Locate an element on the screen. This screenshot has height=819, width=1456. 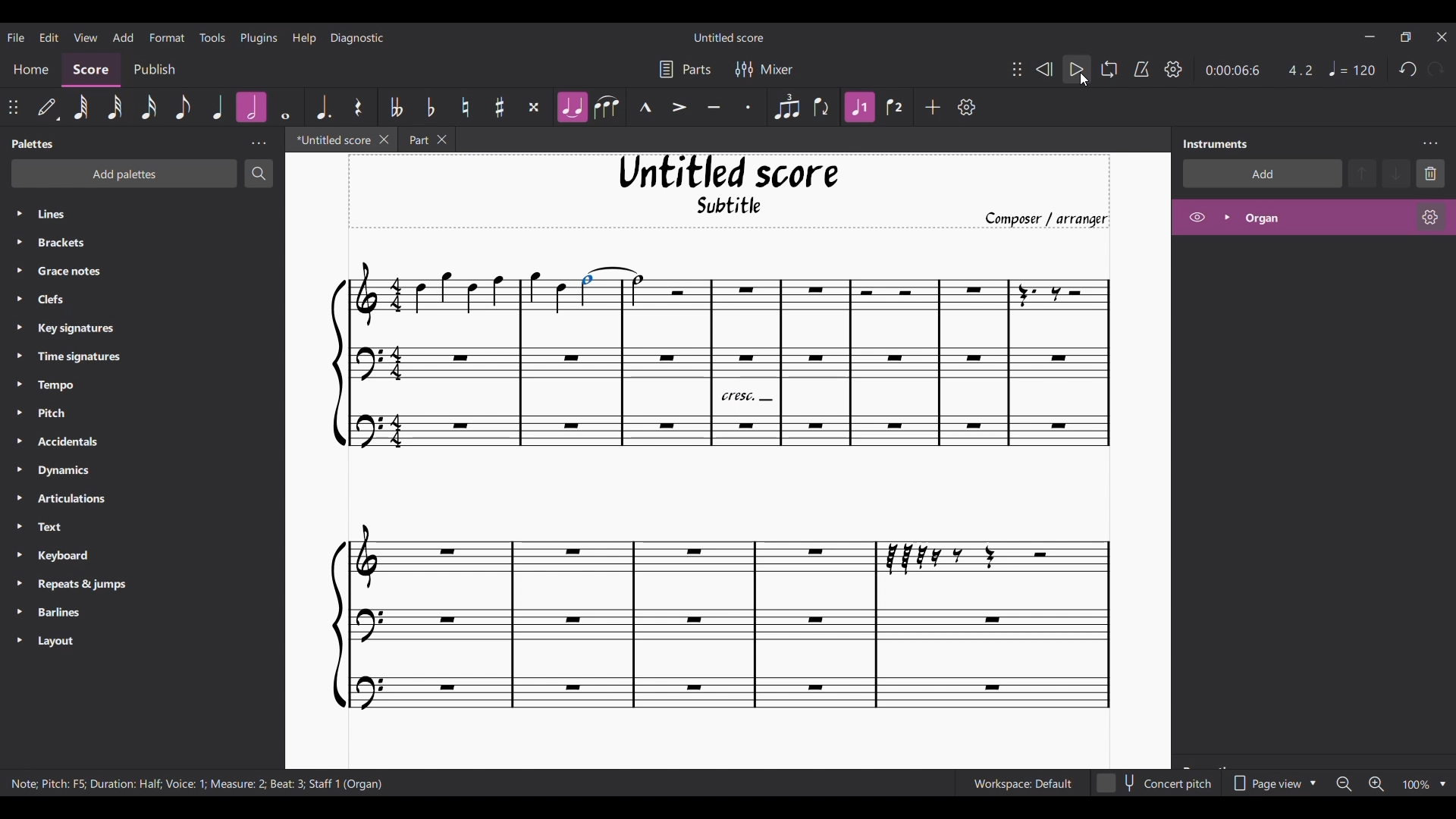
64th note is located at coordinates (82, 108).